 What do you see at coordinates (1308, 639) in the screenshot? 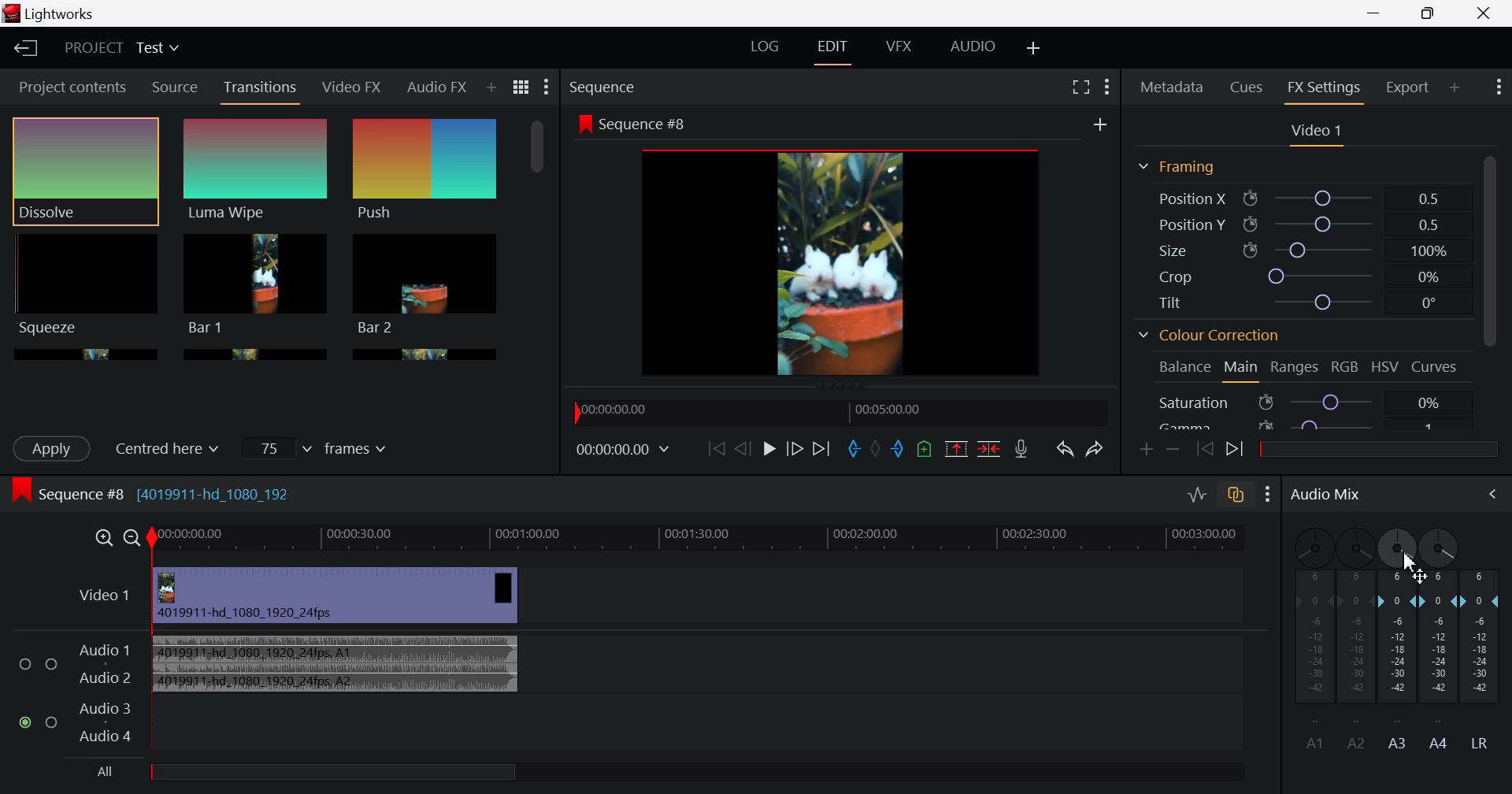
I see `A1 Channel disabled` at bounding box center [1308, 639].